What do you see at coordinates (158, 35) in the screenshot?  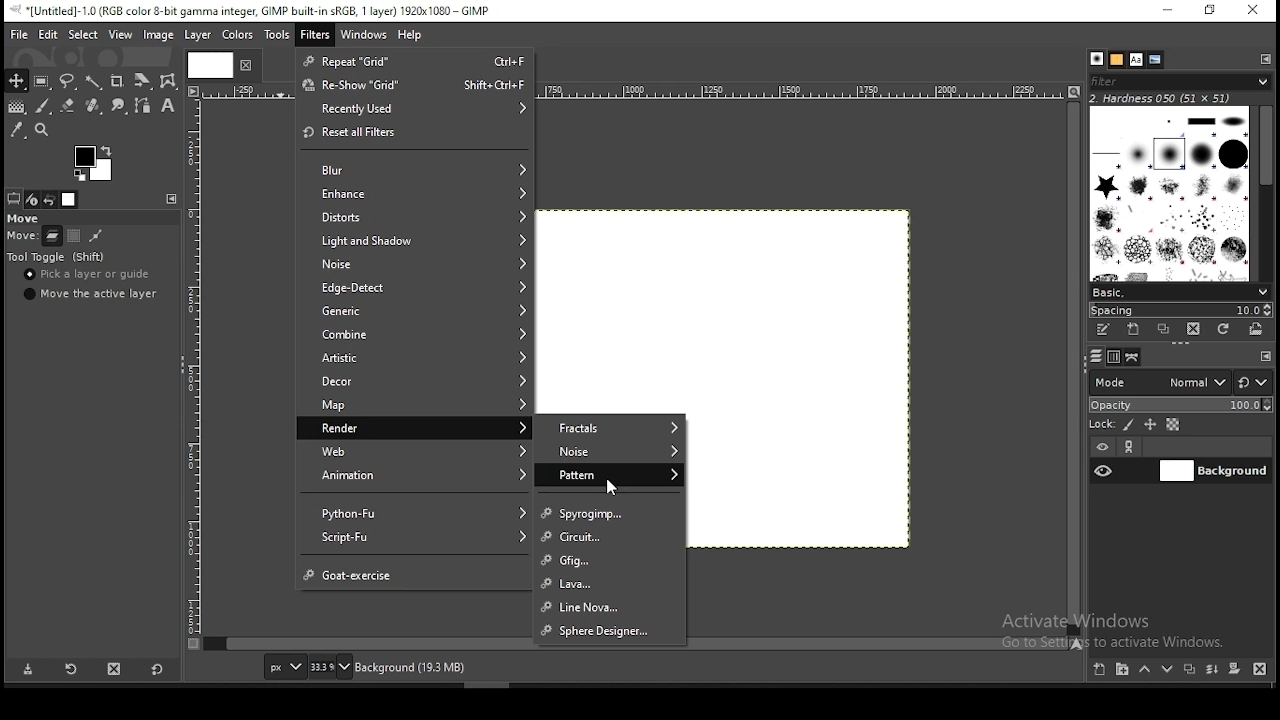 I see `image` at bounding box center [158, 35].